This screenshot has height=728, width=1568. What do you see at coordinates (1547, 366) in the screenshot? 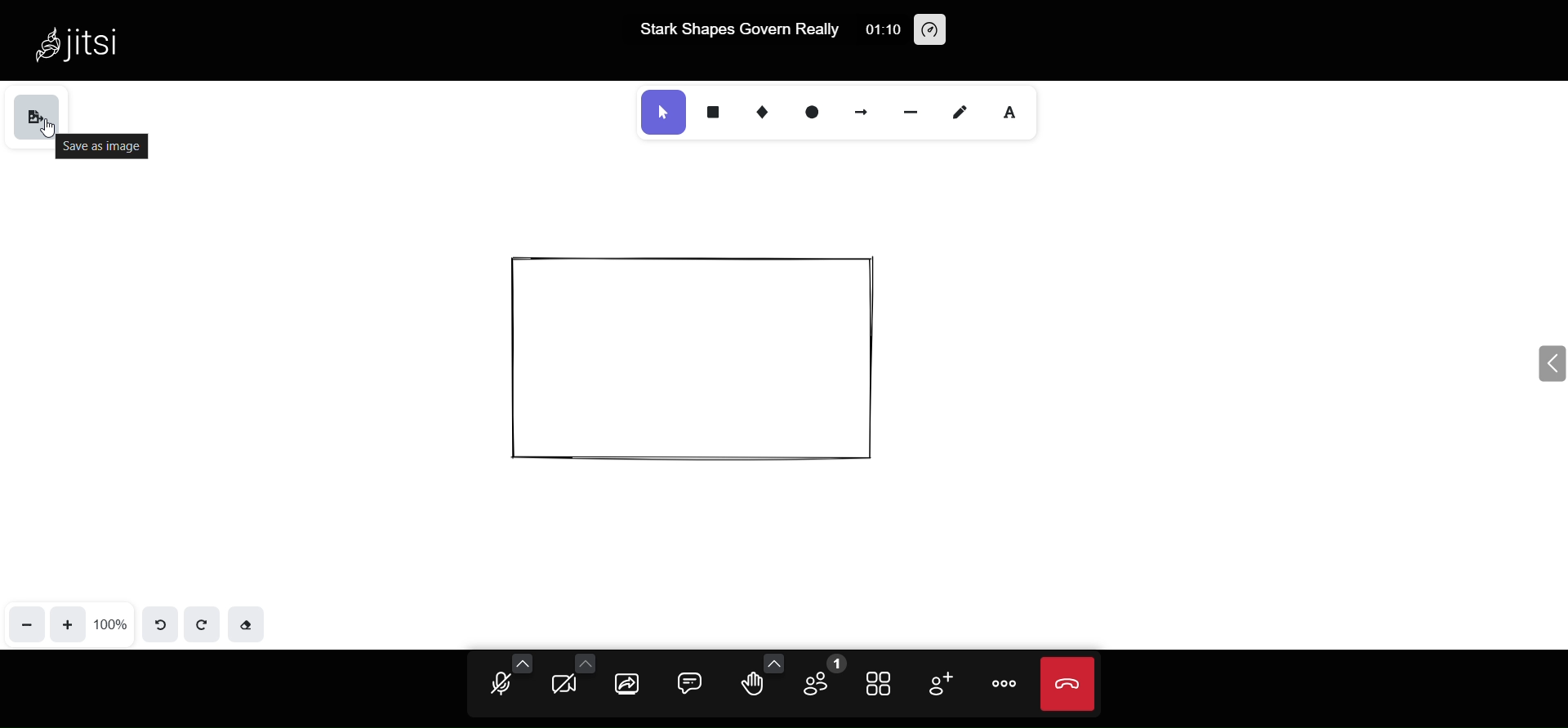
I see `expand` at bounding box center [1547, 366].